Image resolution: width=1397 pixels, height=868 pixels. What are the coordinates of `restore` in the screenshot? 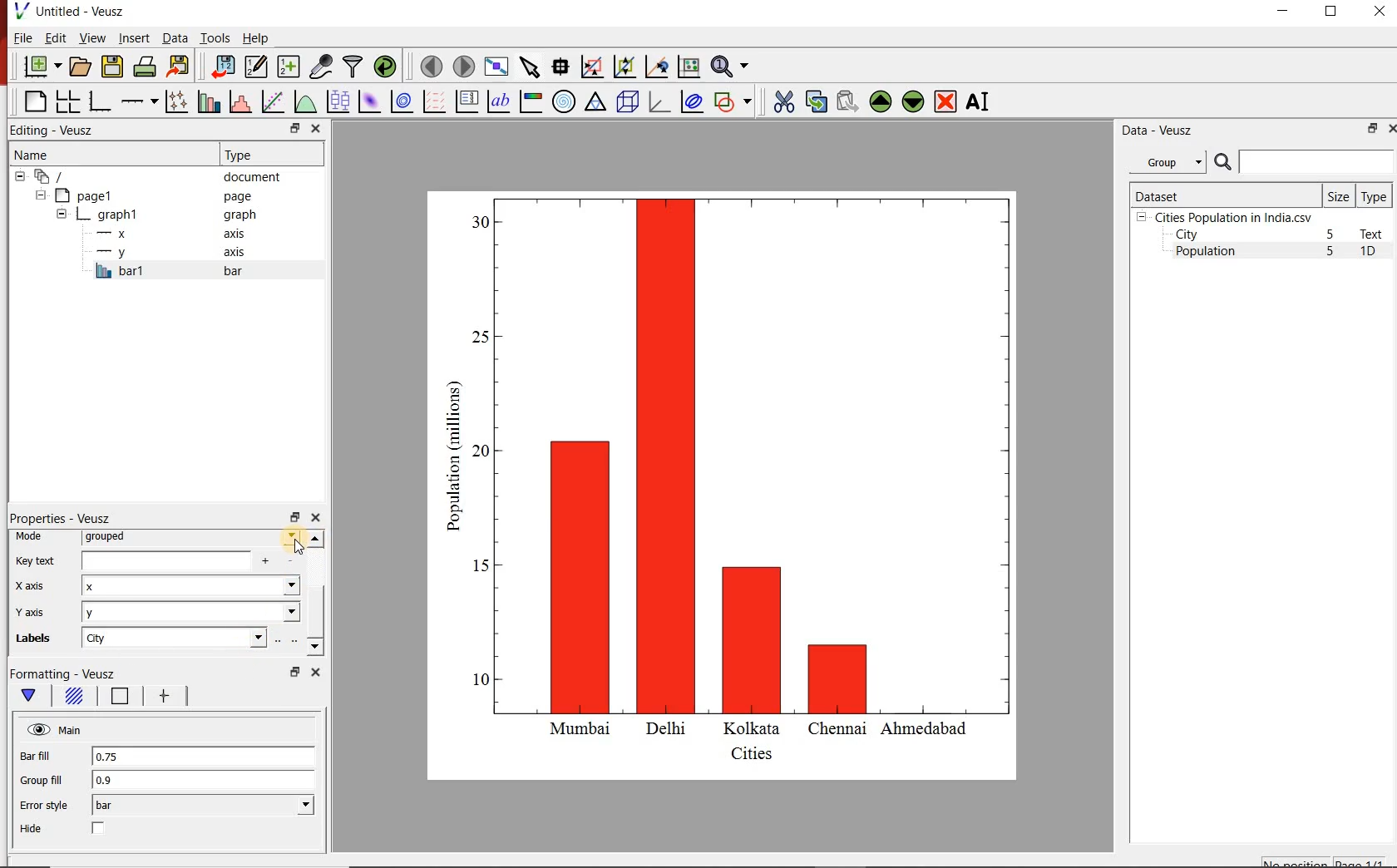 It's located at (294, 516).